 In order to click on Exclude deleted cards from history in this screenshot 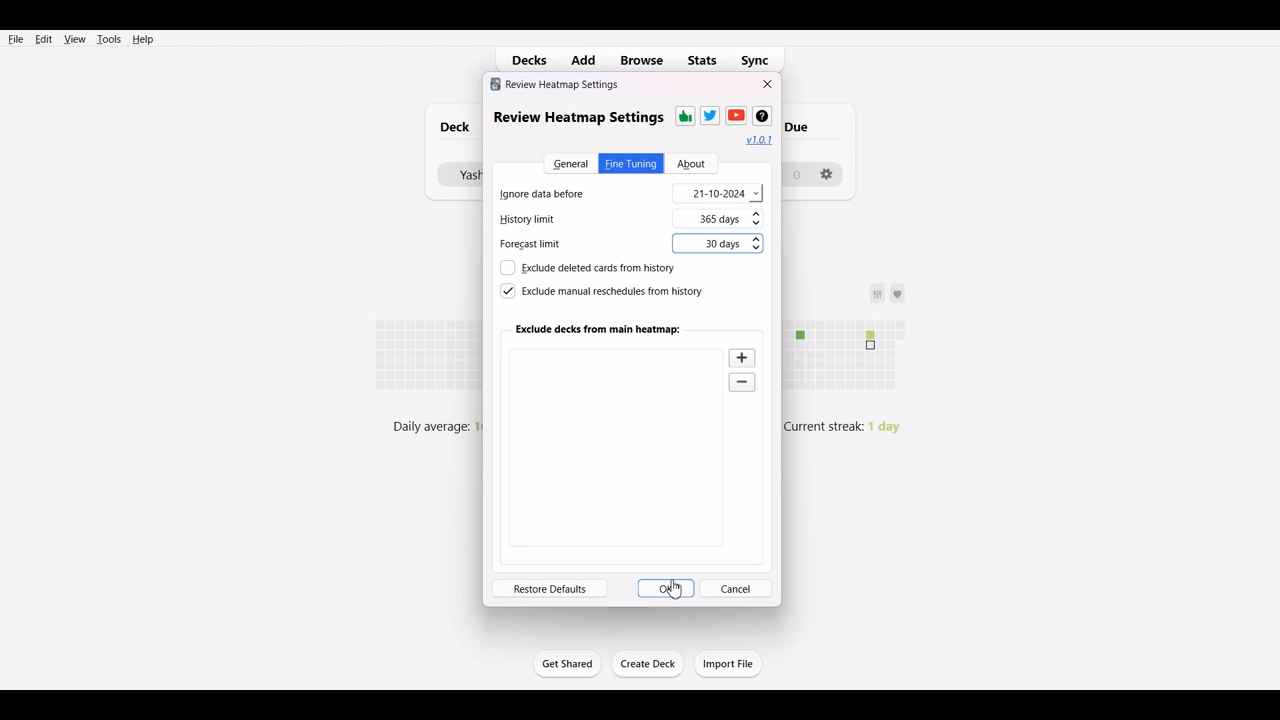, I will do `click(587, 268)`.